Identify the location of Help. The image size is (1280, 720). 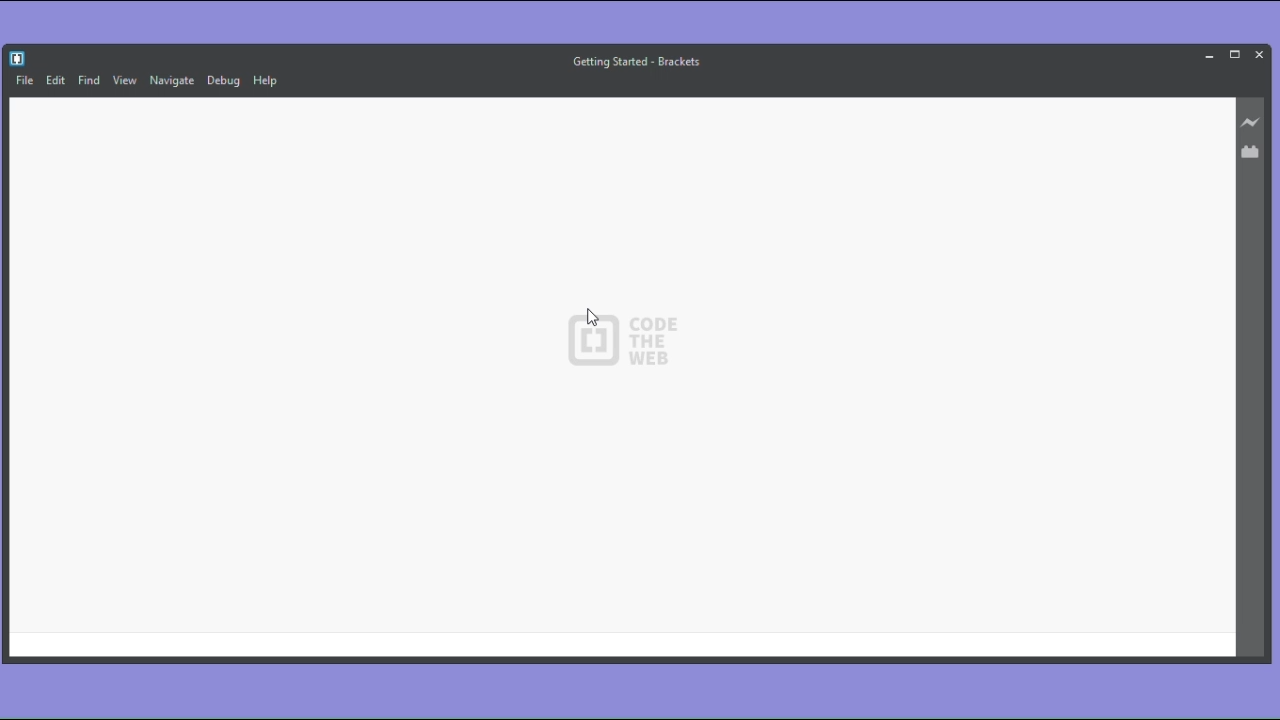
(271, 82).